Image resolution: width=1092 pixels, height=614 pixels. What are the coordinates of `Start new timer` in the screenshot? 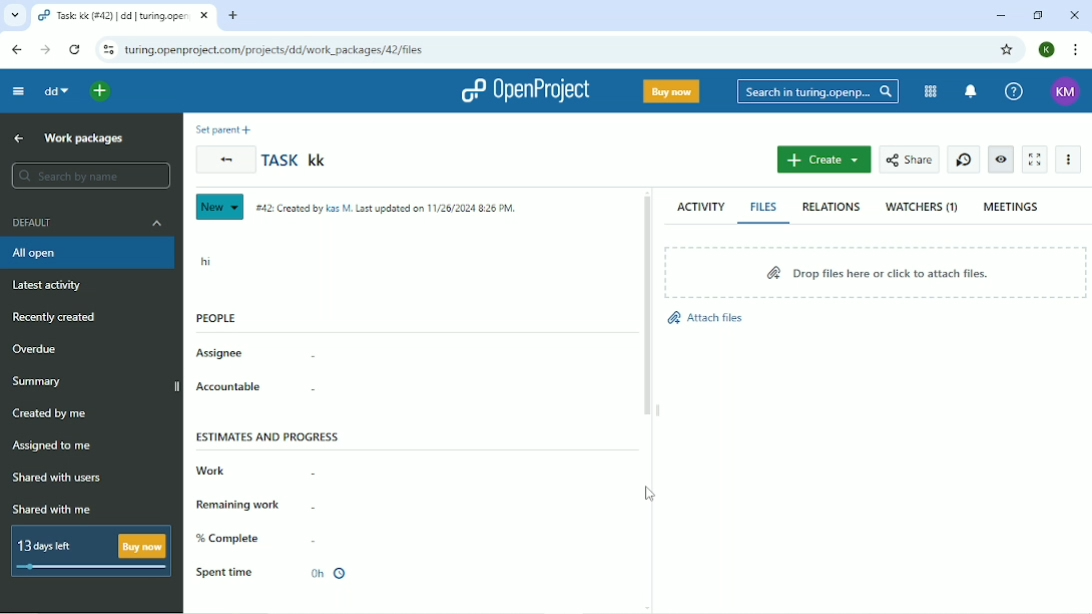 It's located at (962, 159).